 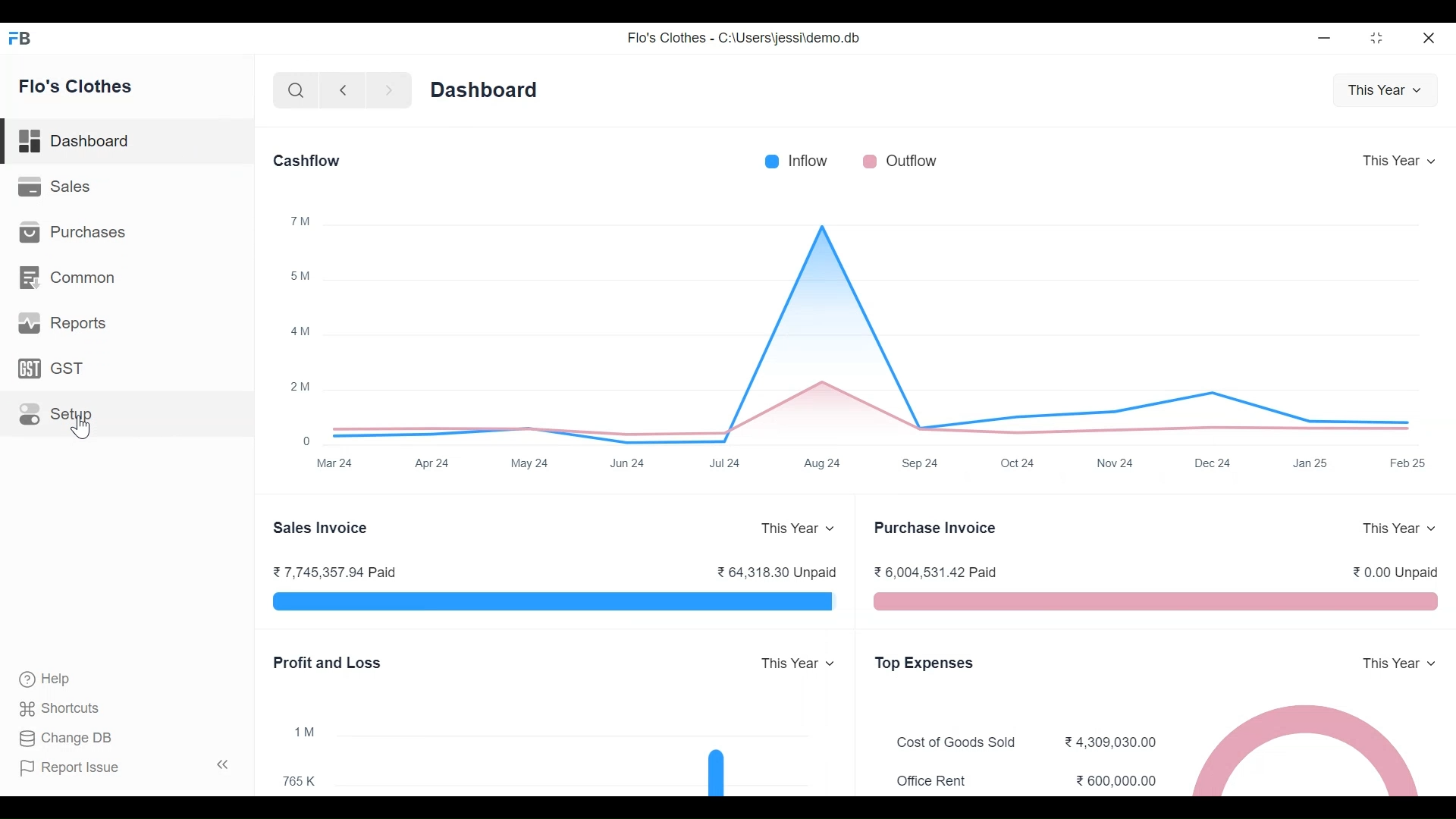 What do you see at coordinates (75, 141) in the screenshot?
I see `dashboard` at bounding box center [75, 141].